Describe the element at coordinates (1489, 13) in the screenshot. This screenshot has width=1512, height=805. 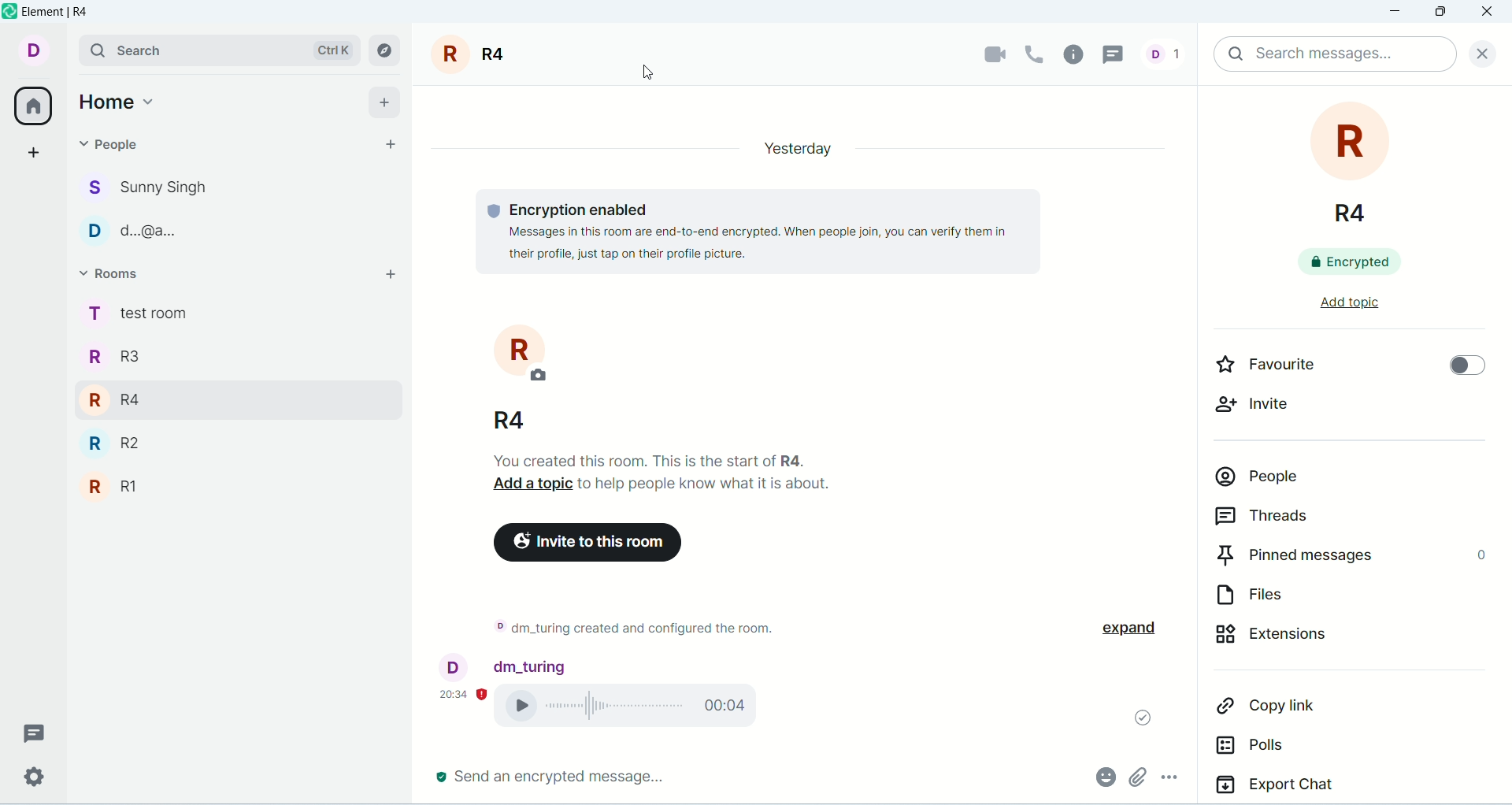
I see `close` at that location.